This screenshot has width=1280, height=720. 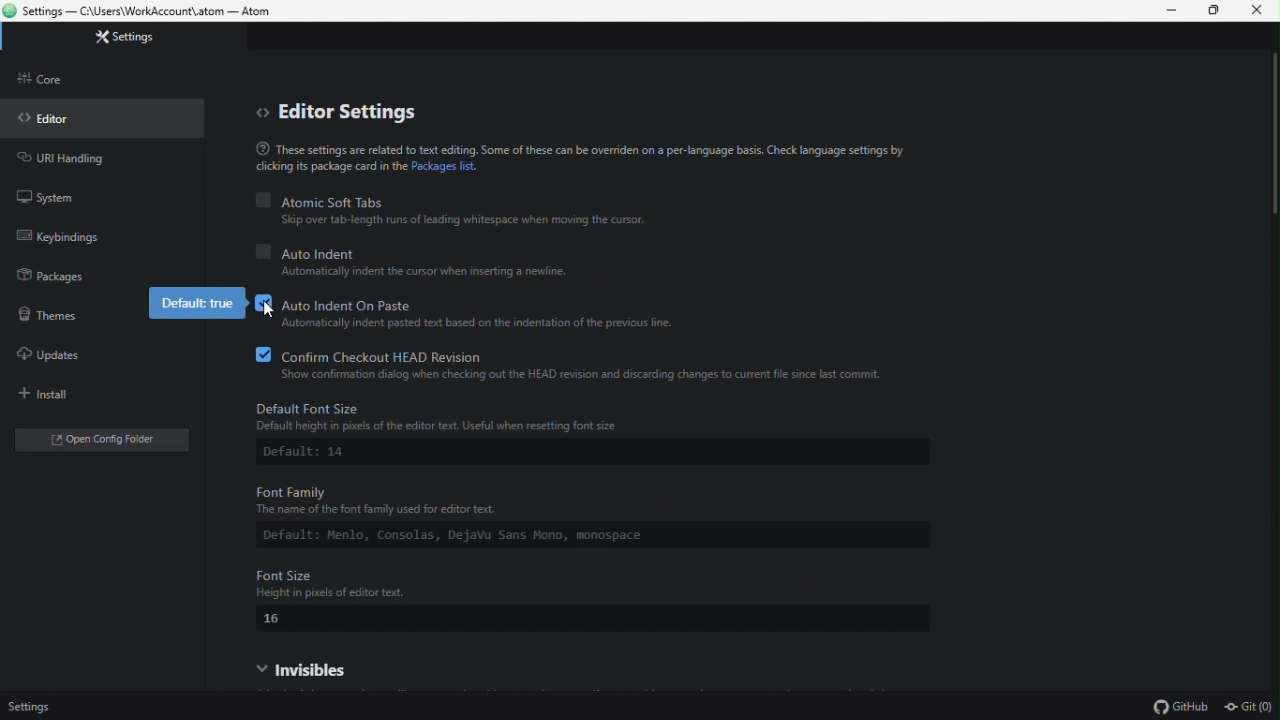 What do you see at coordinates (63, 118) in the screenshot?
I see `Editor` at bounding box center [63, 118].